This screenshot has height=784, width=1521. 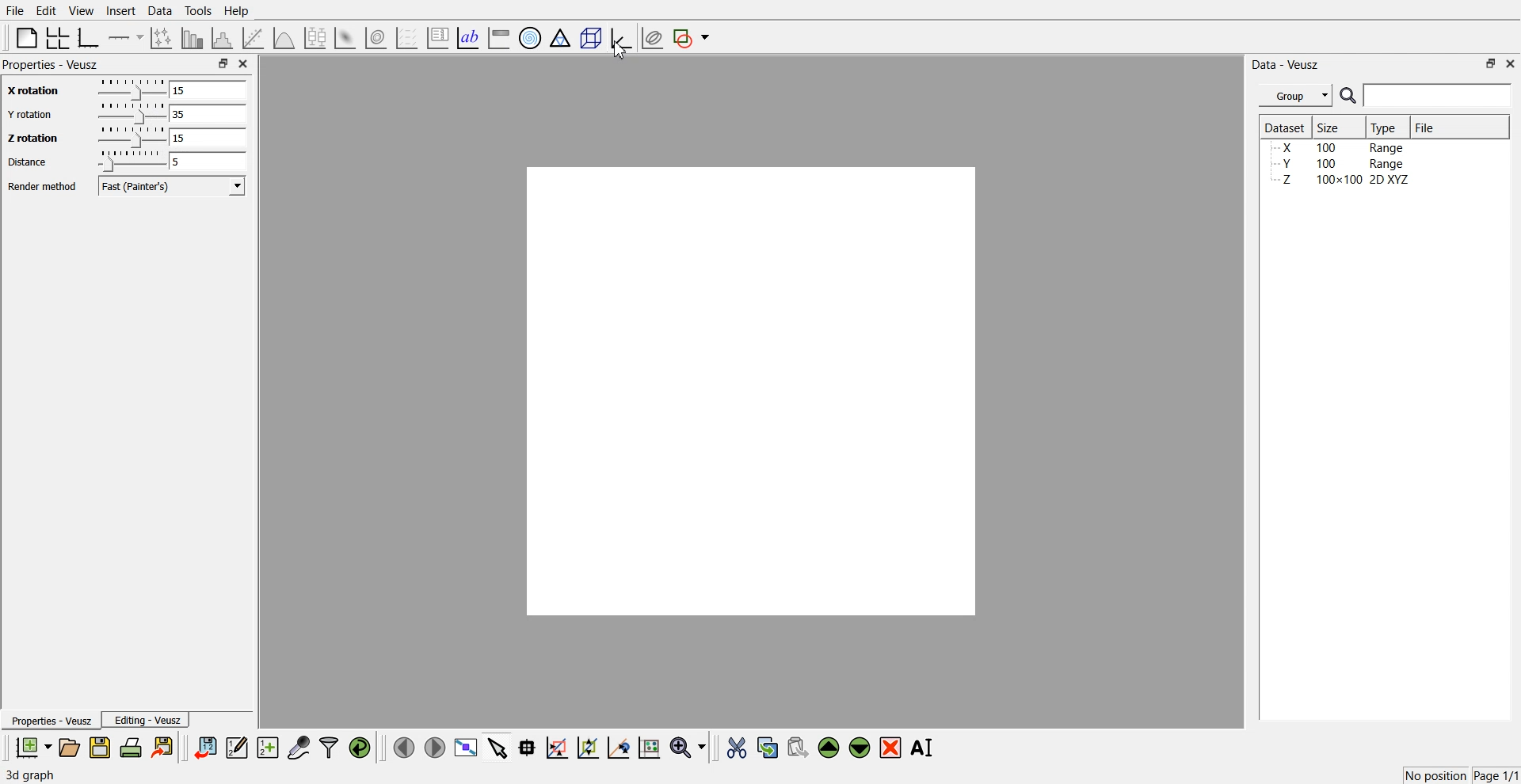 What do you see at coordinates (82, 11) in the screenshot?
I see `View` at bounding box center [82, 11].